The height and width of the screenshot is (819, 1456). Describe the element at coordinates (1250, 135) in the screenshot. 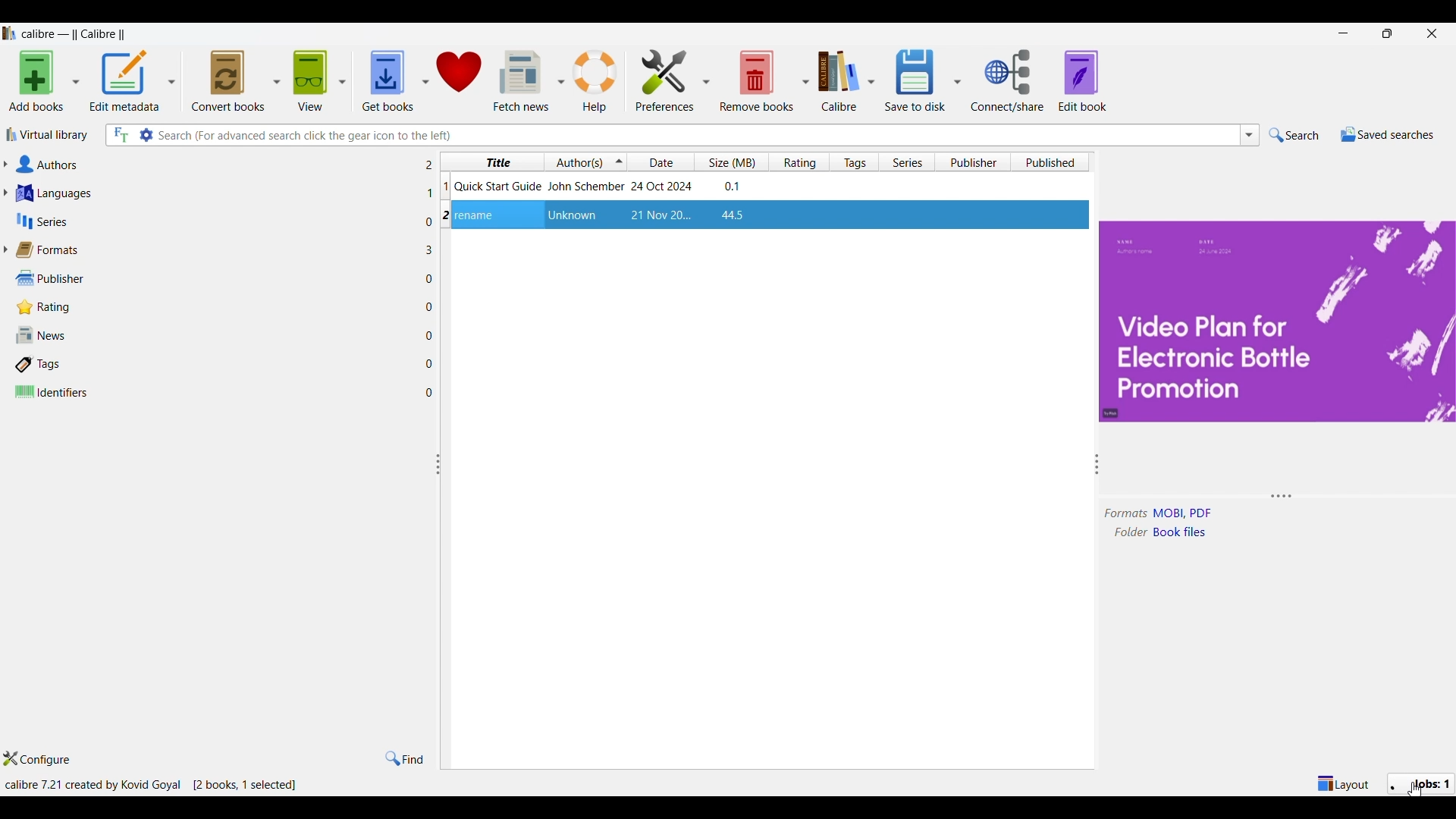

I see `Search list` at that location.